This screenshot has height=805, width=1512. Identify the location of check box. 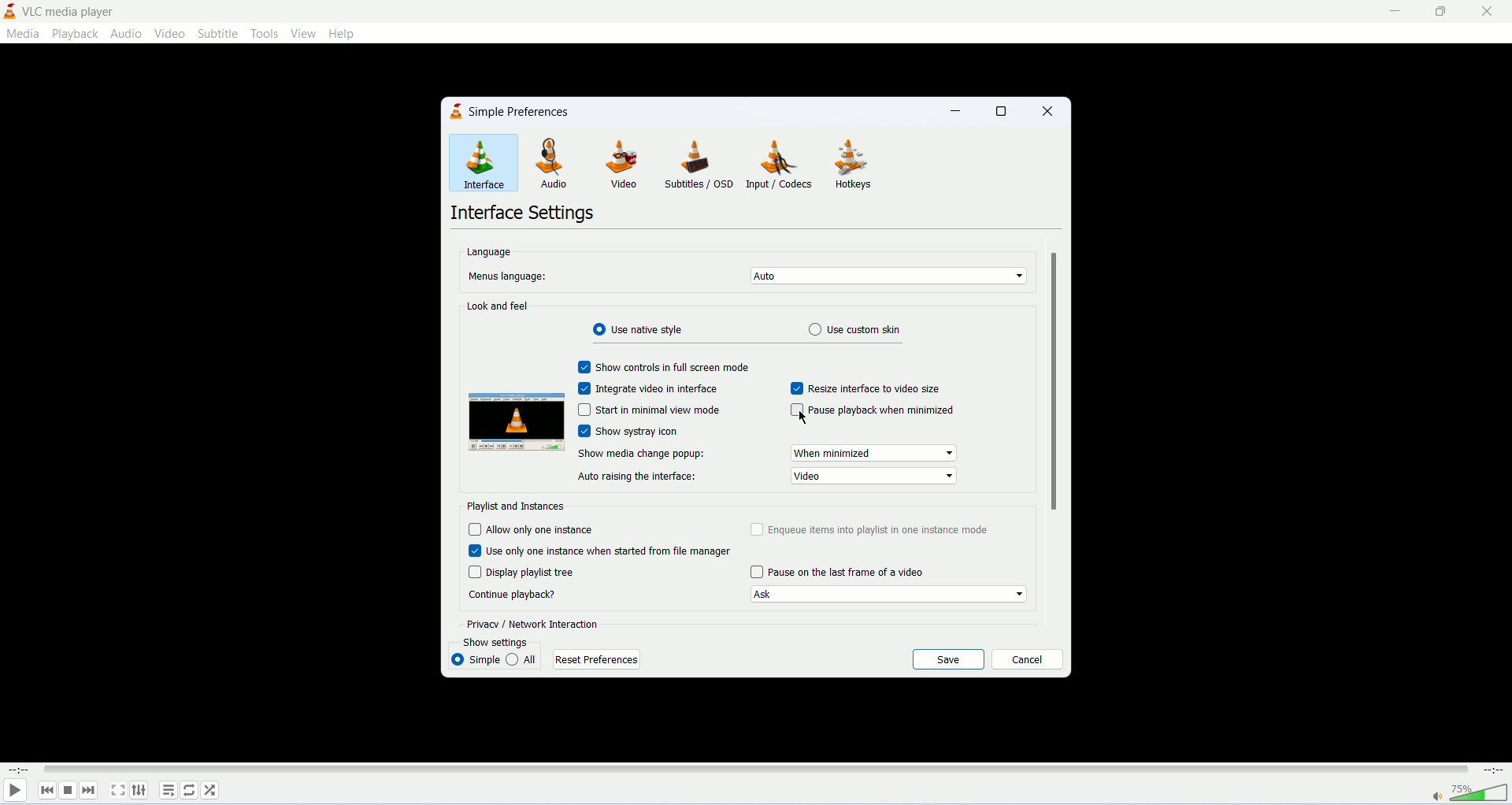
(473, 529).